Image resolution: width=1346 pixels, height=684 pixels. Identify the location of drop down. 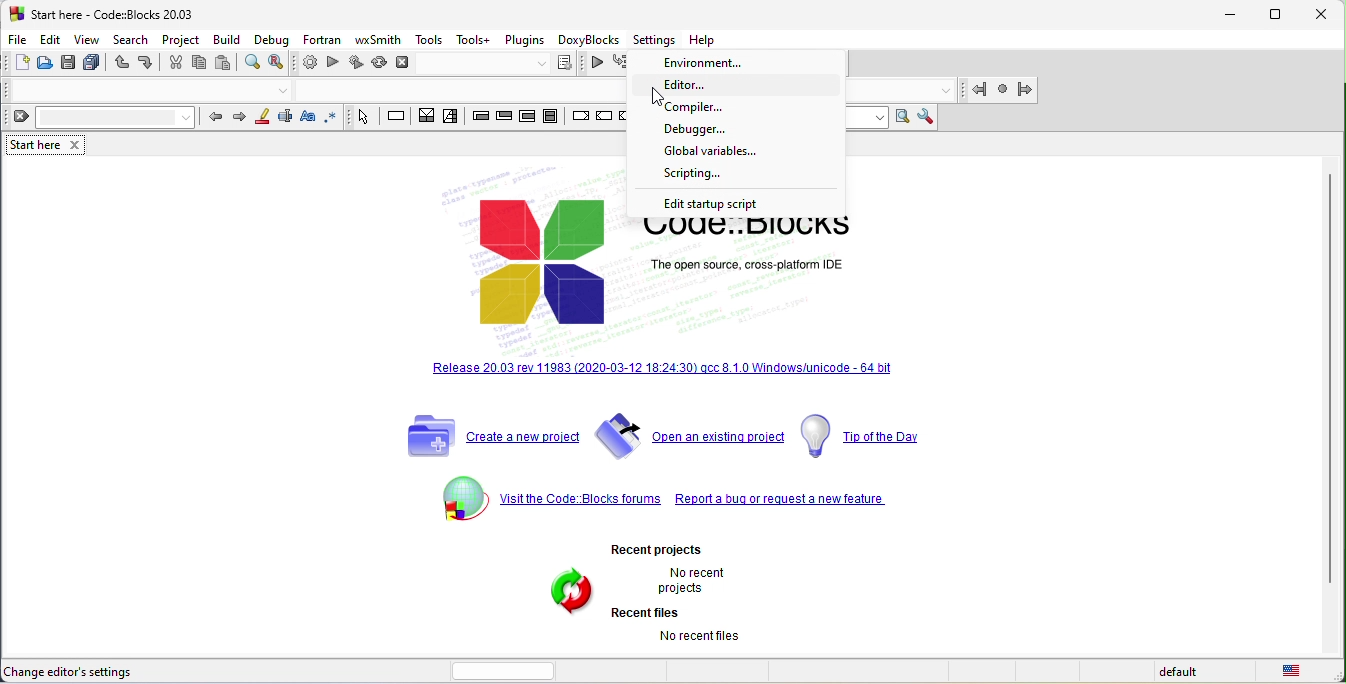
(944, 89).